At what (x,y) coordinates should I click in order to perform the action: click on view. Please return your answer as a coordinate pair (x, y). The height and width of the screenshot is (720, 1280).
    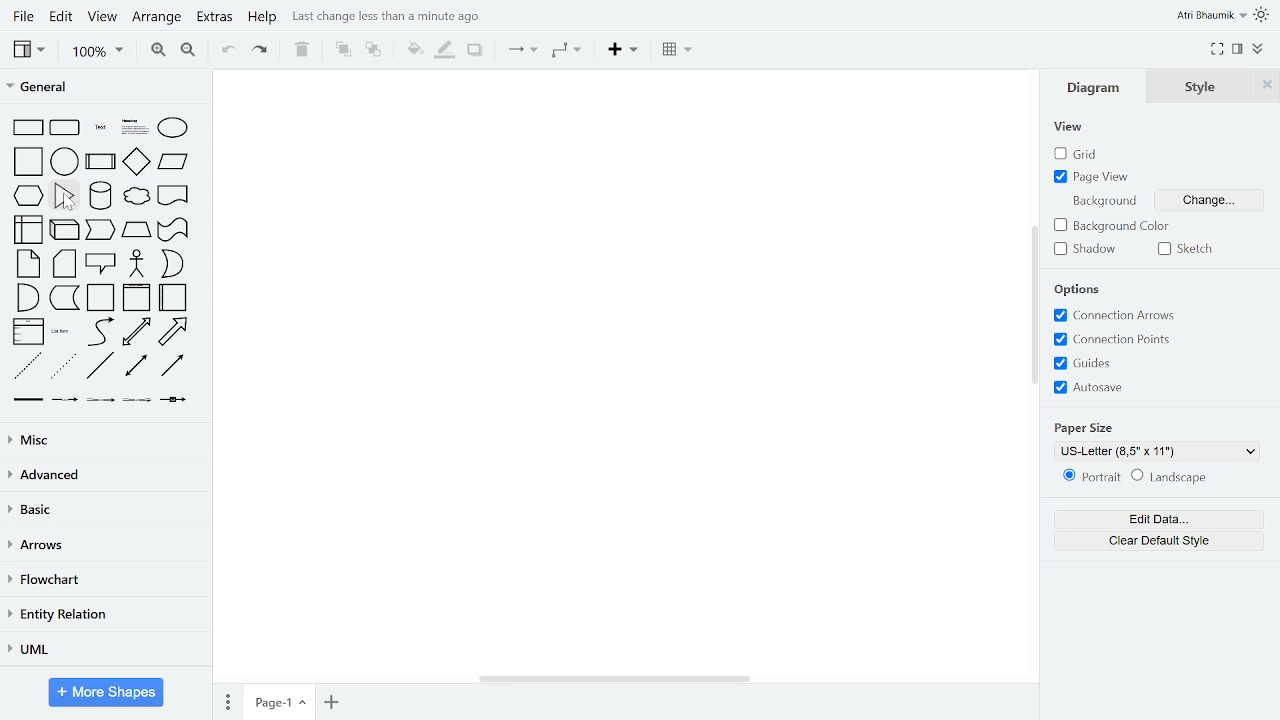
    Looking at the image, I should click on (28, 49).